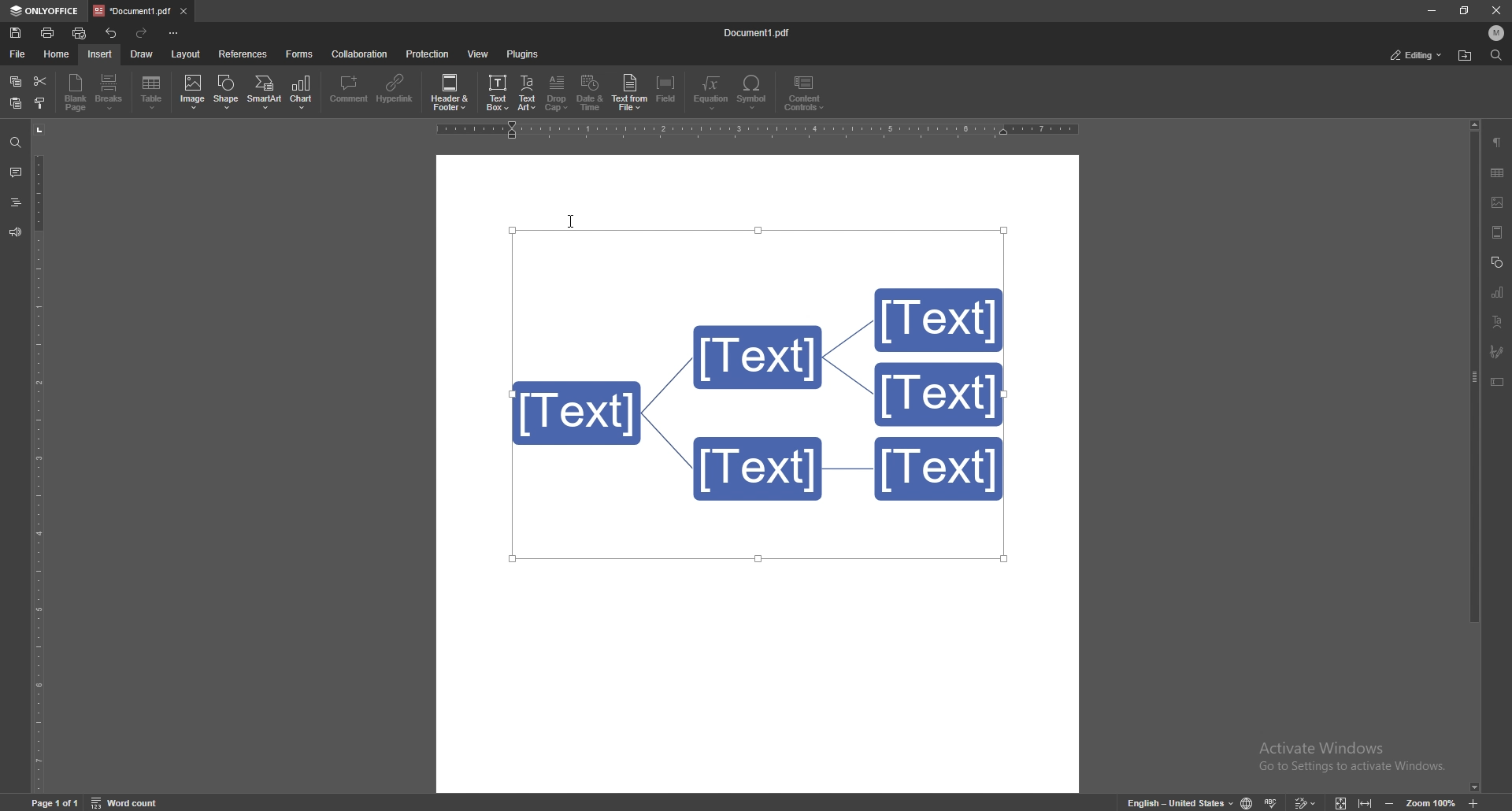 The width and height of the screenshot is (1512, 811). I want to click on minimize, so click(1432, 10).